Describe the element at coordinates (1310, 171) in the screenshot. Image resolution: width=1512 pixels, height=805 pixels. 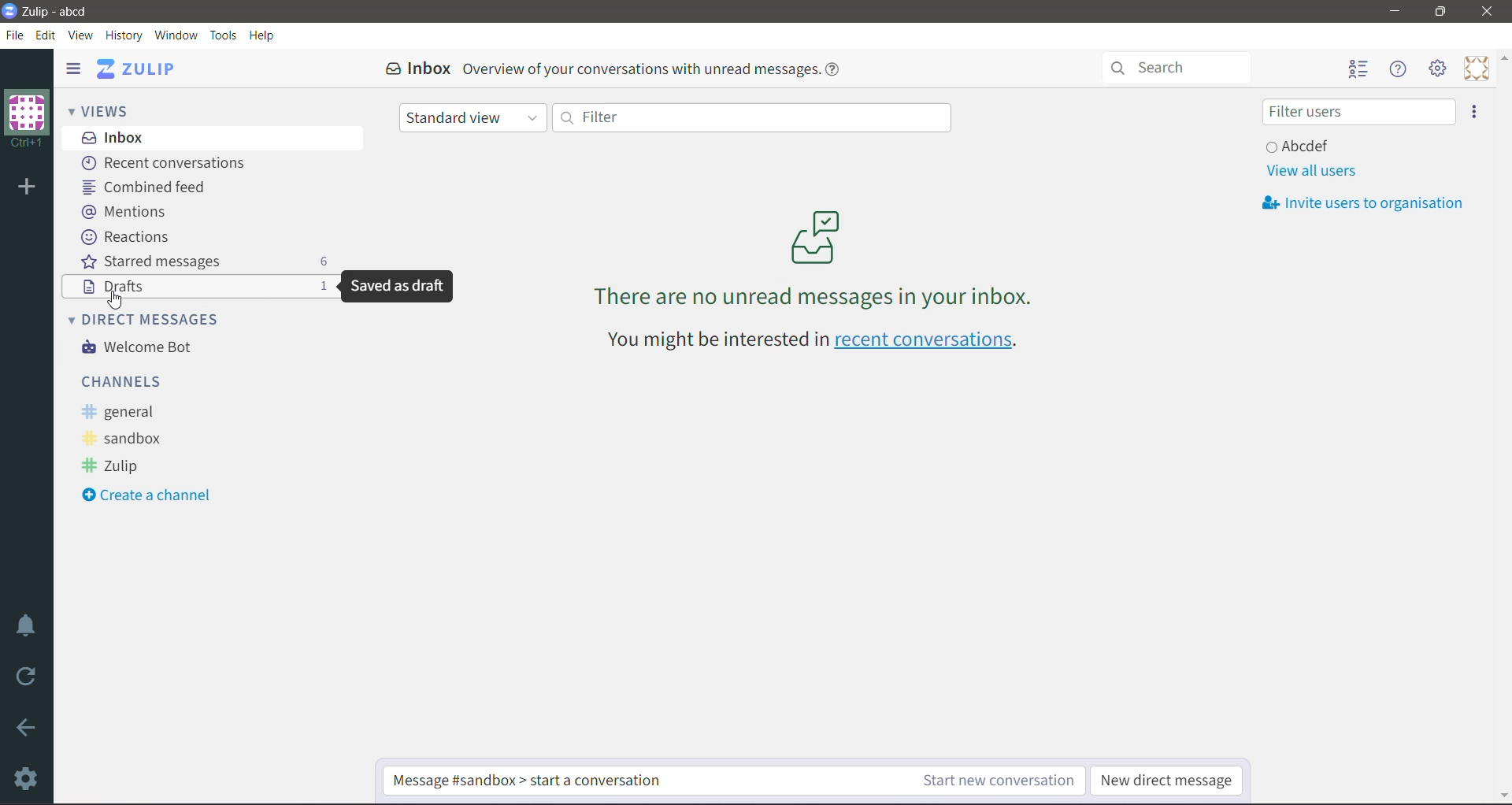
I see `View all users` at that location.